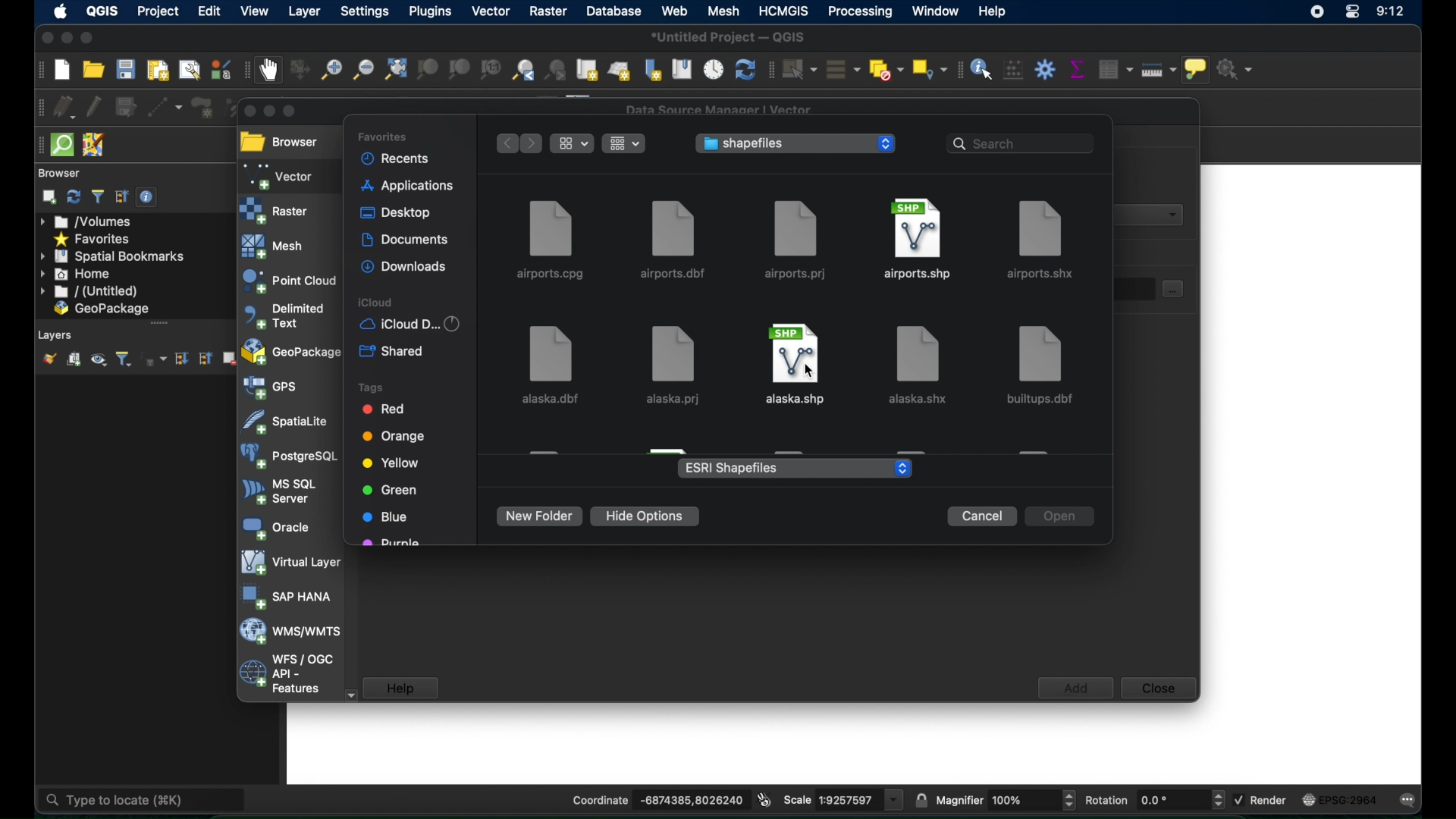 The height and width of the screenshot is (819, 1456). Describe the element at coordinates (935, 13) in the screenshot. I see `window` at that location.